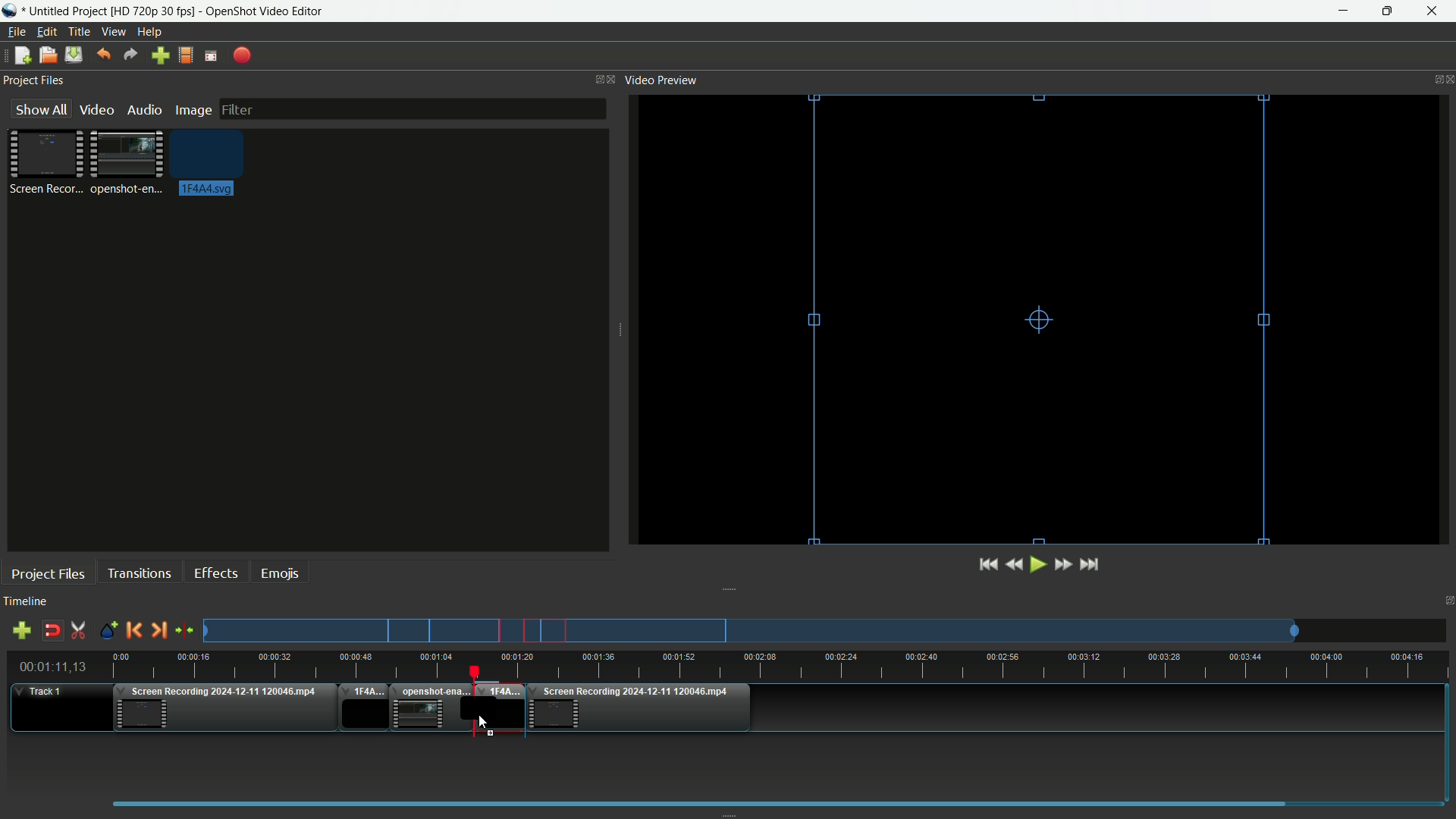 The width and height of the screenshot is (1456, 819). I want to click on maximize, so click(1387, 11).